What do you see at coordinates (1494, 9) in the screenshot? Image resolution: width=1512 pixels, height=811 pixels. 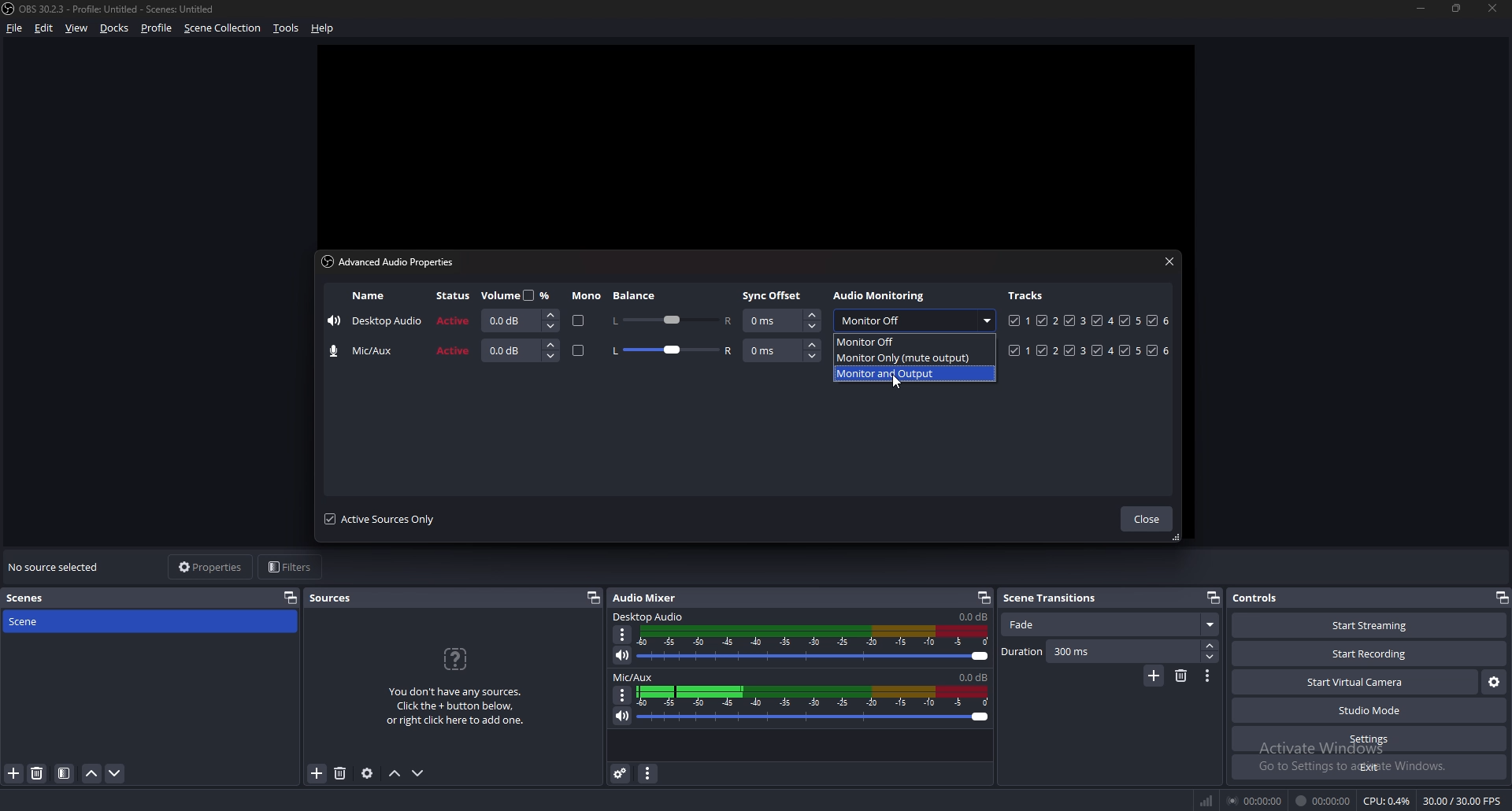 I see `close` at bounding box center [1494, 9].